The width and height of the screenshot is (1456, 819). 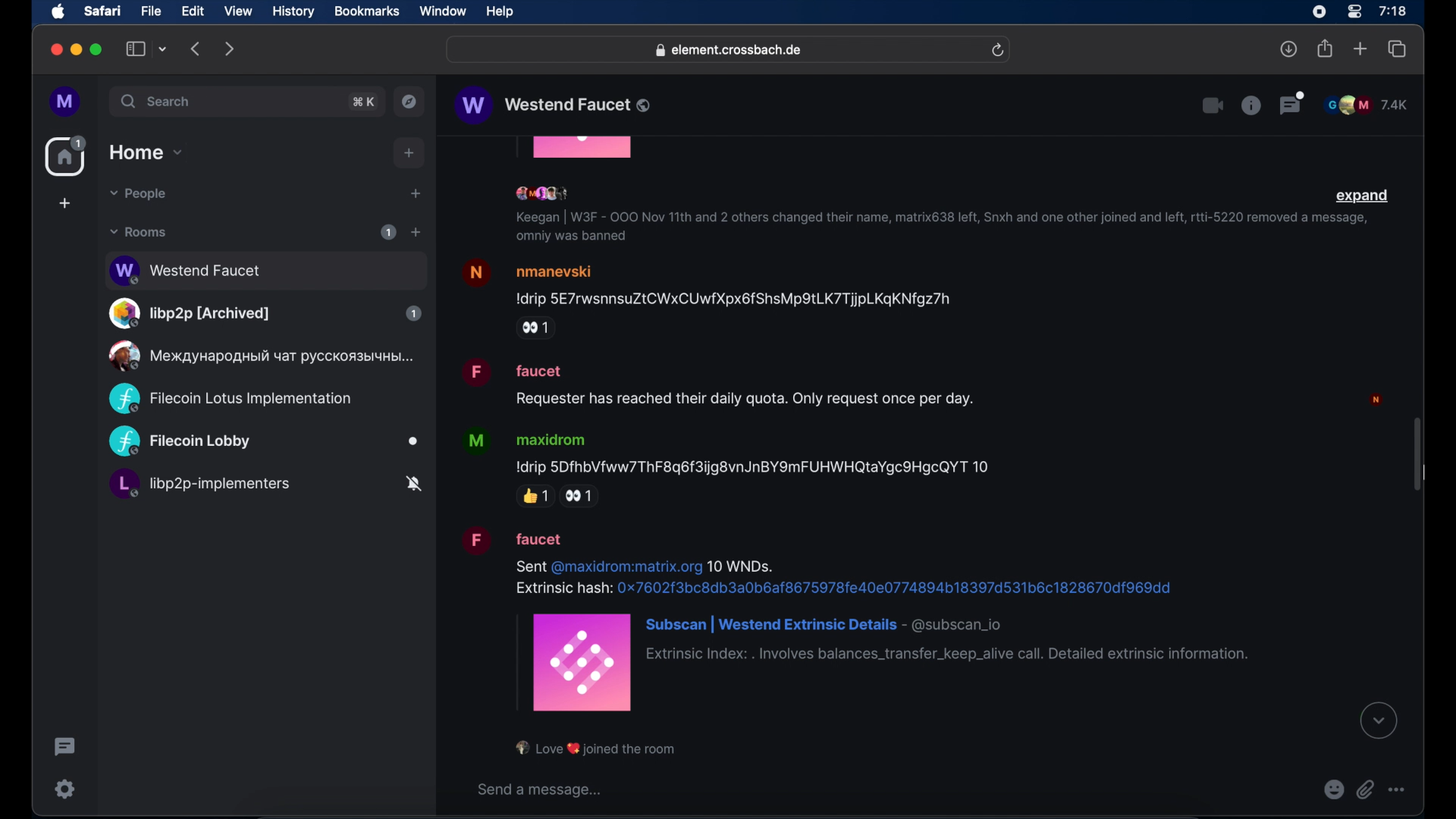 I want to click on edit, so click(x=193, y=11).